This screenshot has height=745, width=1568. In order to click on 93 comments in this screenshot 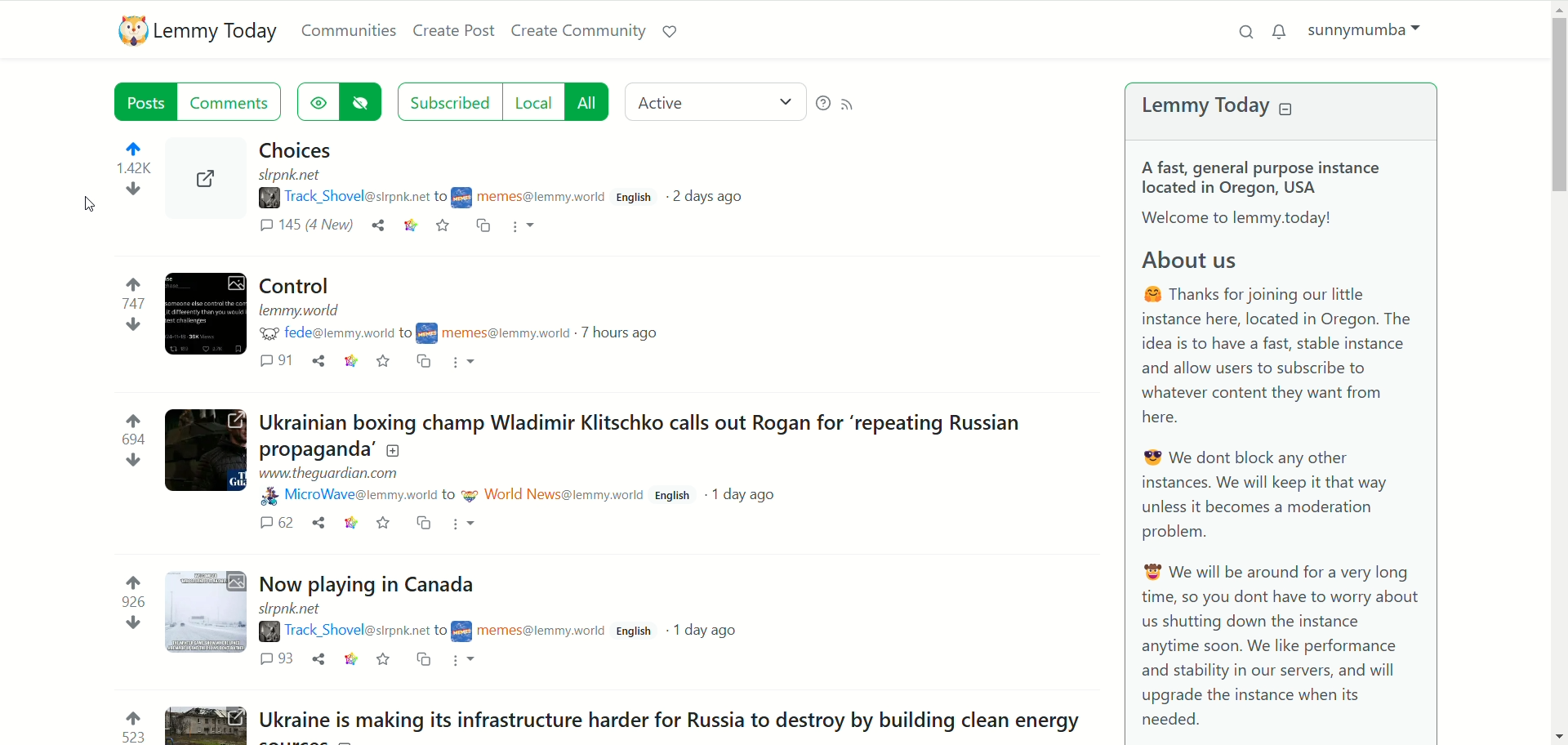, I will do `click(278, 661)`.